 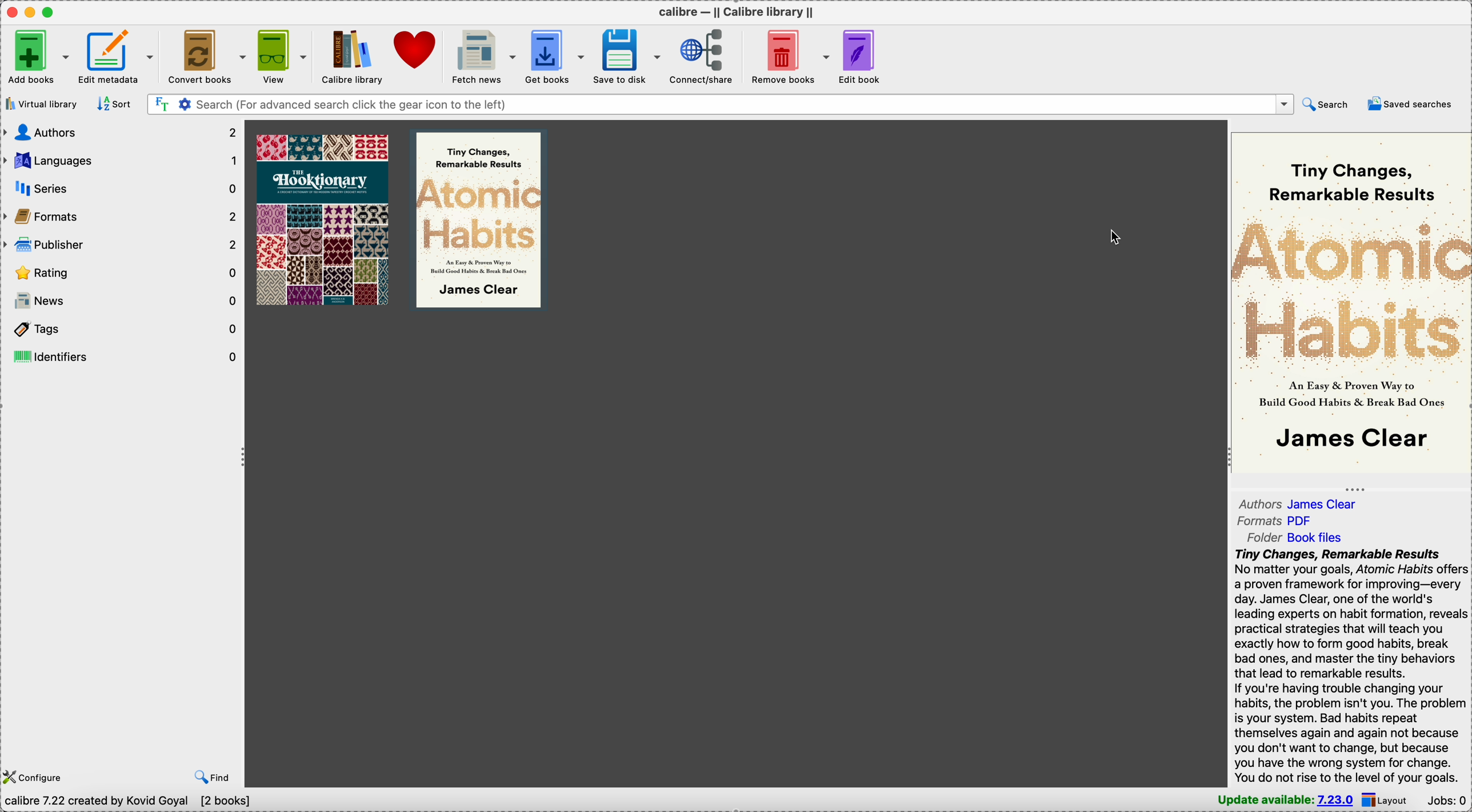 What do you see at coordinates (13, 12) in the screenshot?
I see `close` at bounding box center [13, 12].